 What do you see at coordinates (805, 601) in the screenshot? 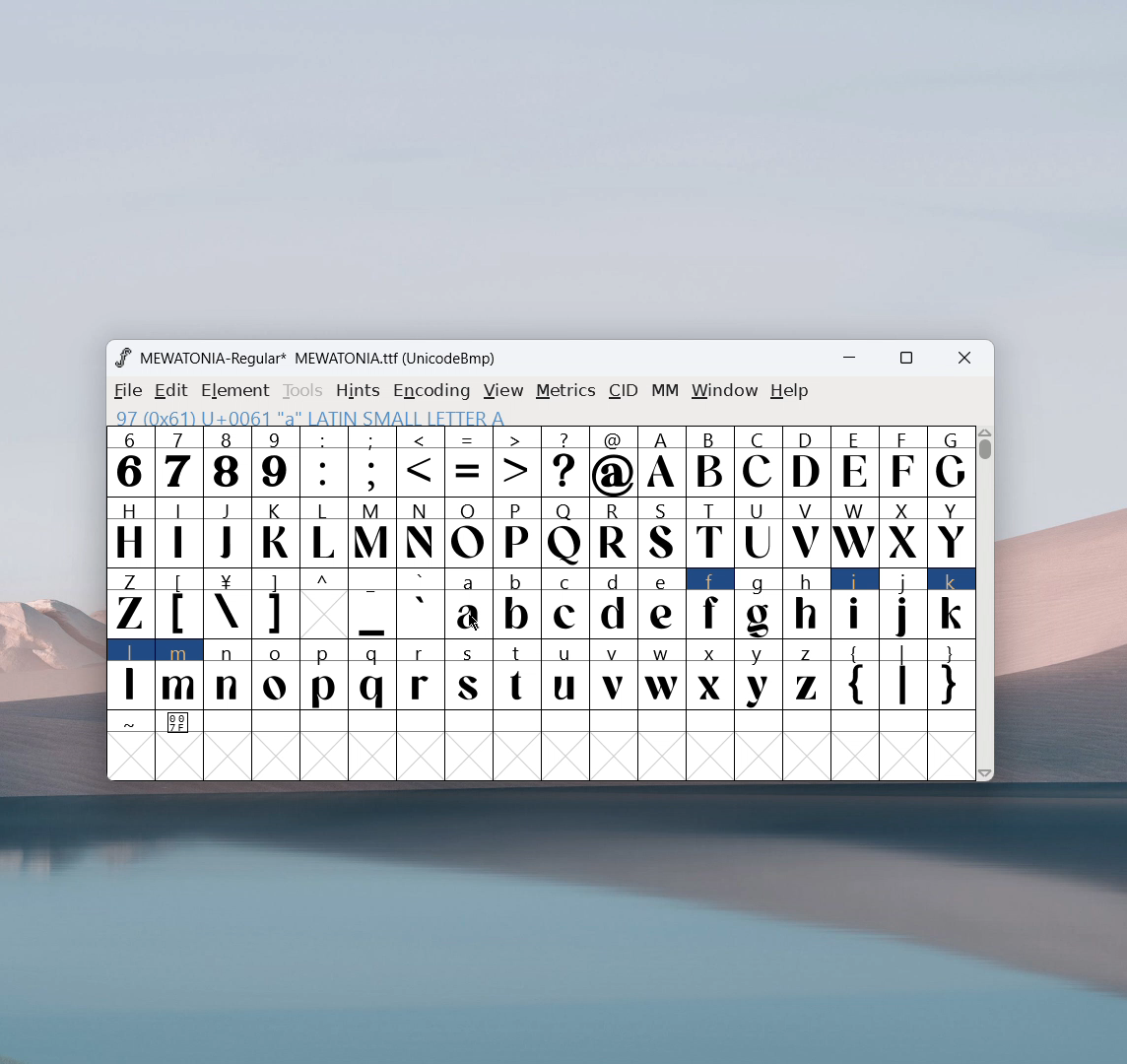
I see `h` at bounding box center [805, 601].